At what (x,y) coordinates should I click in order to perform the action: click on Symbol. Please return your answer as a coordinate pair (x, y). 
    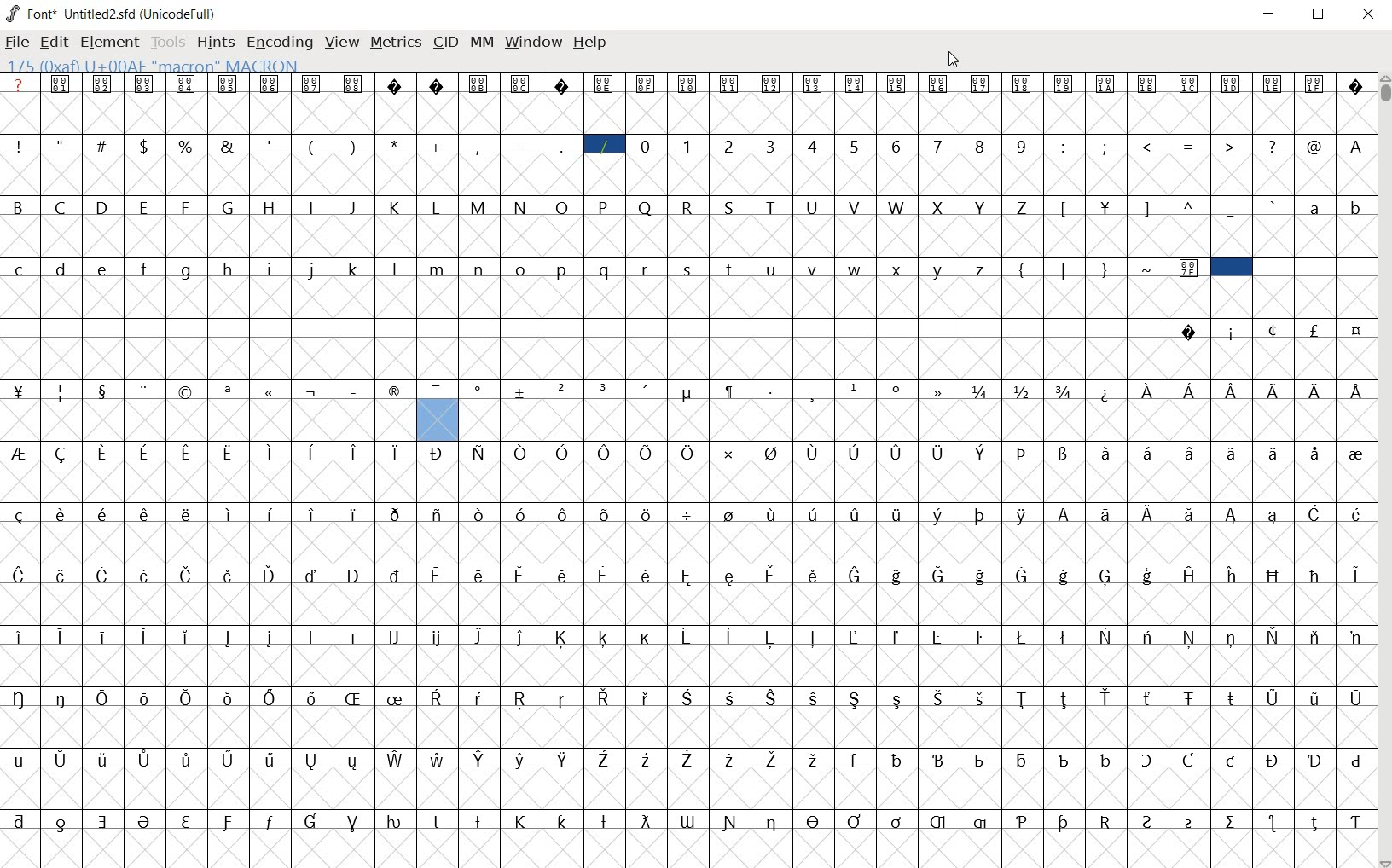
    Looking at the image, I should click on (644, 820).